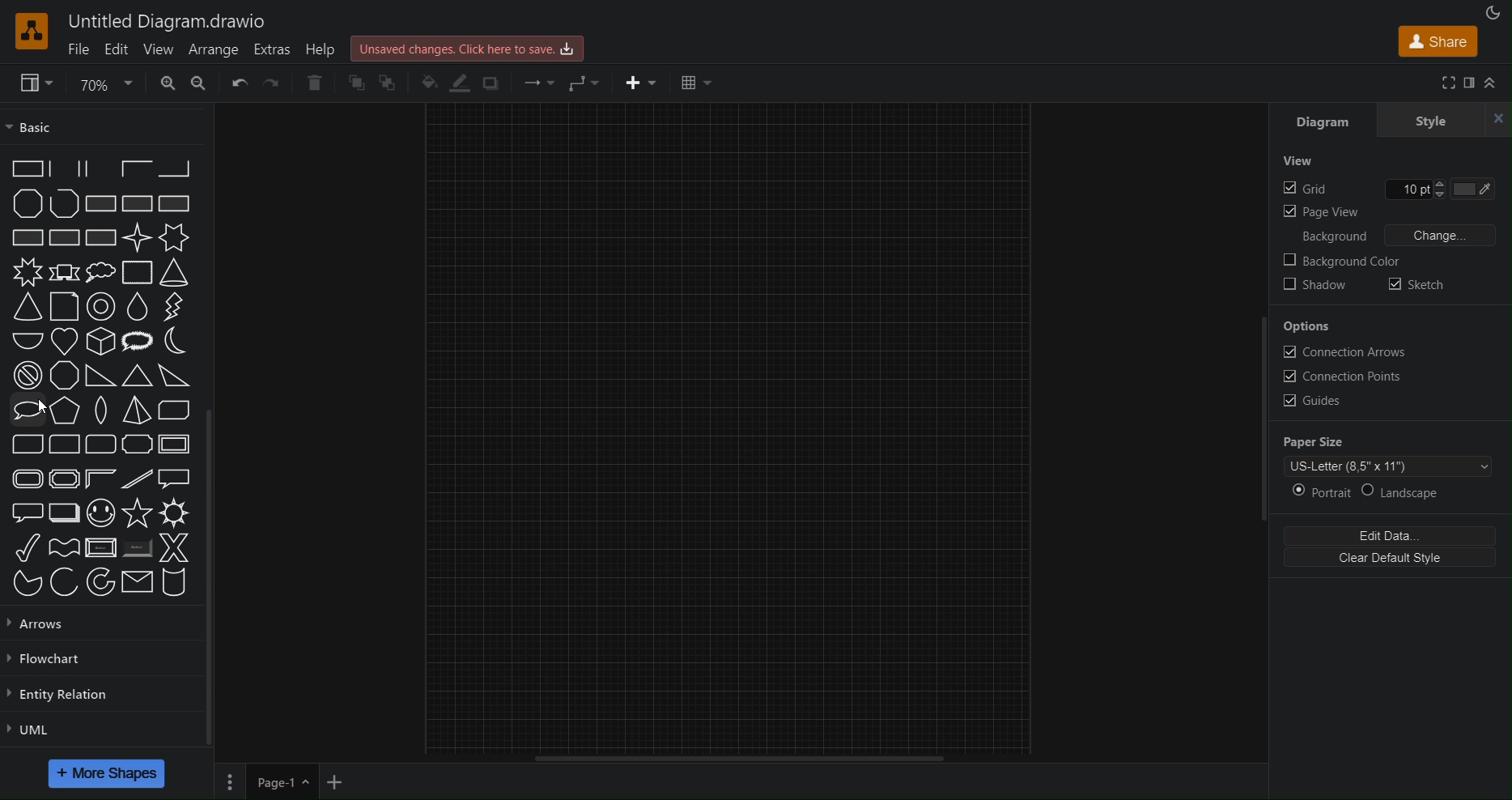 This screenshot has height=800, width=1512. Describe the element at coordinates (199, 86) in the screenshot. I see `Zoom out` at that location.